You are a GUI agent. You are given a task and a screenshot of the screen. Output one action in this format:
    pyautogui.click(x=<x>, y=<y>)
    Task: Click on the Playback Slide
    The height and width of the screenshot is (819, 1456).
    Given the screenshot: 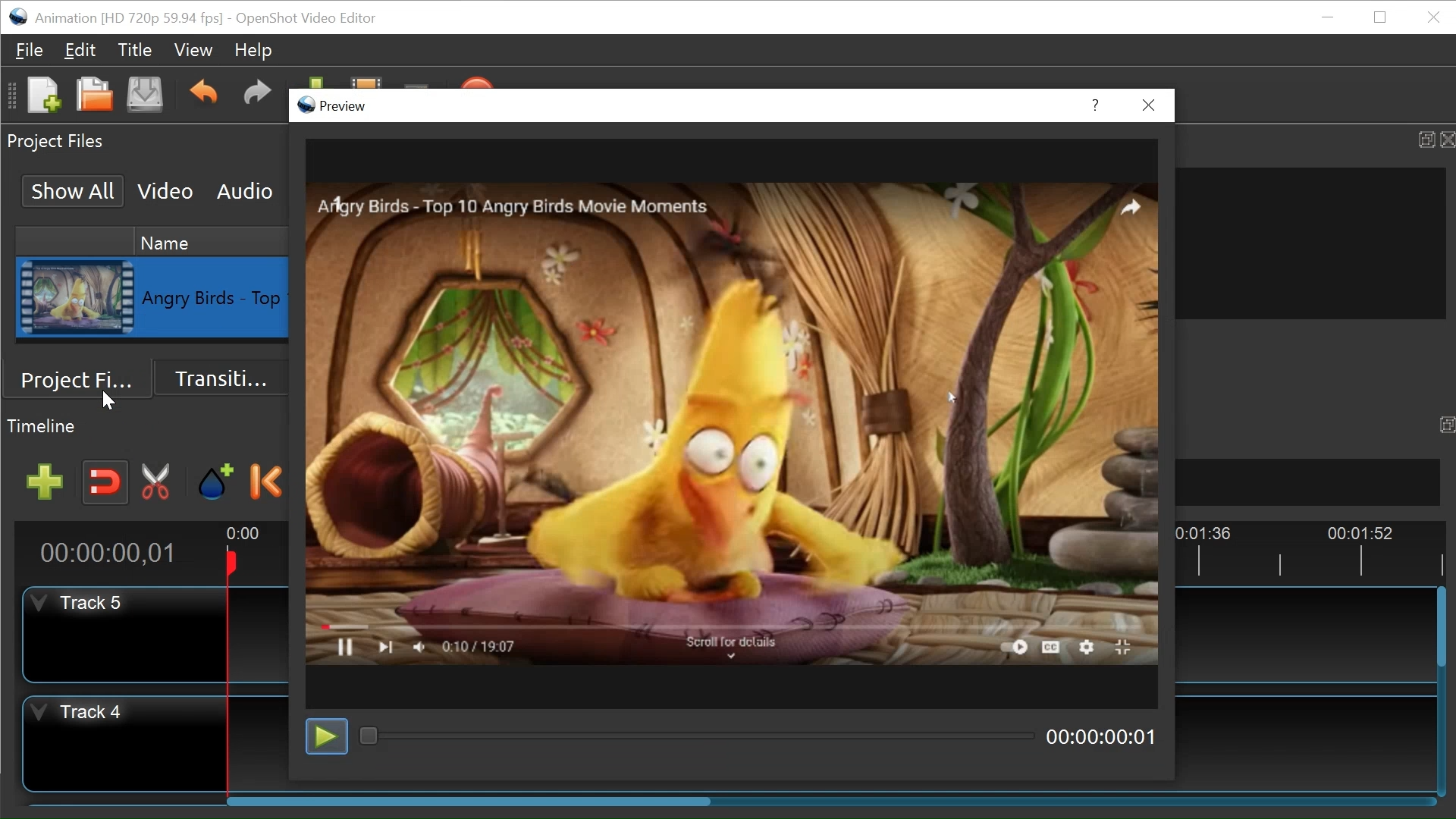 What is the action you would take?
    pyautogui.click(x=697, y=736)
    